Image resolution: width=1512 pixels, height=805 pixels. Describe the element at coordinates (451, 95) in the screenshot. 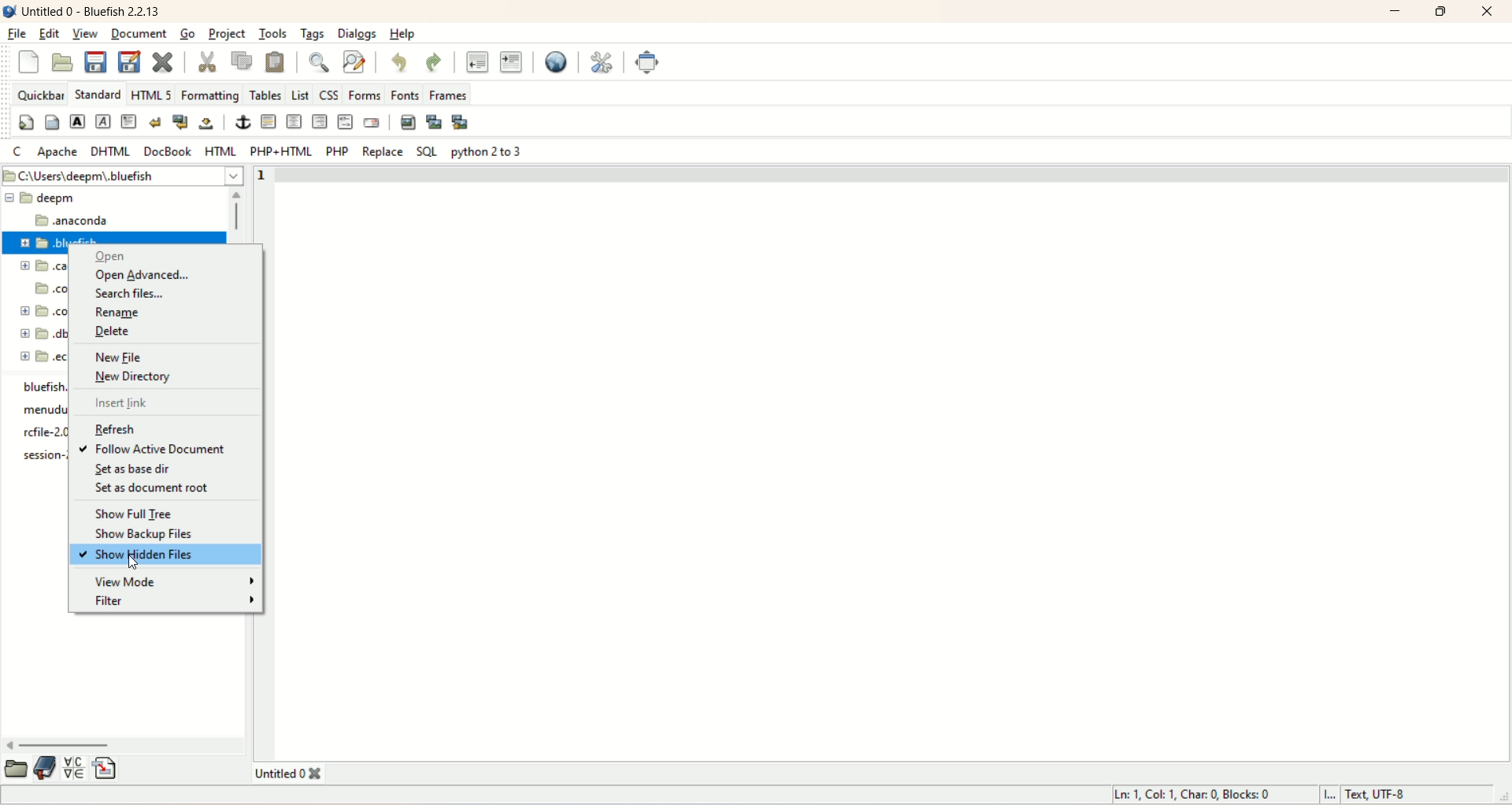

I see `frames` at that location.